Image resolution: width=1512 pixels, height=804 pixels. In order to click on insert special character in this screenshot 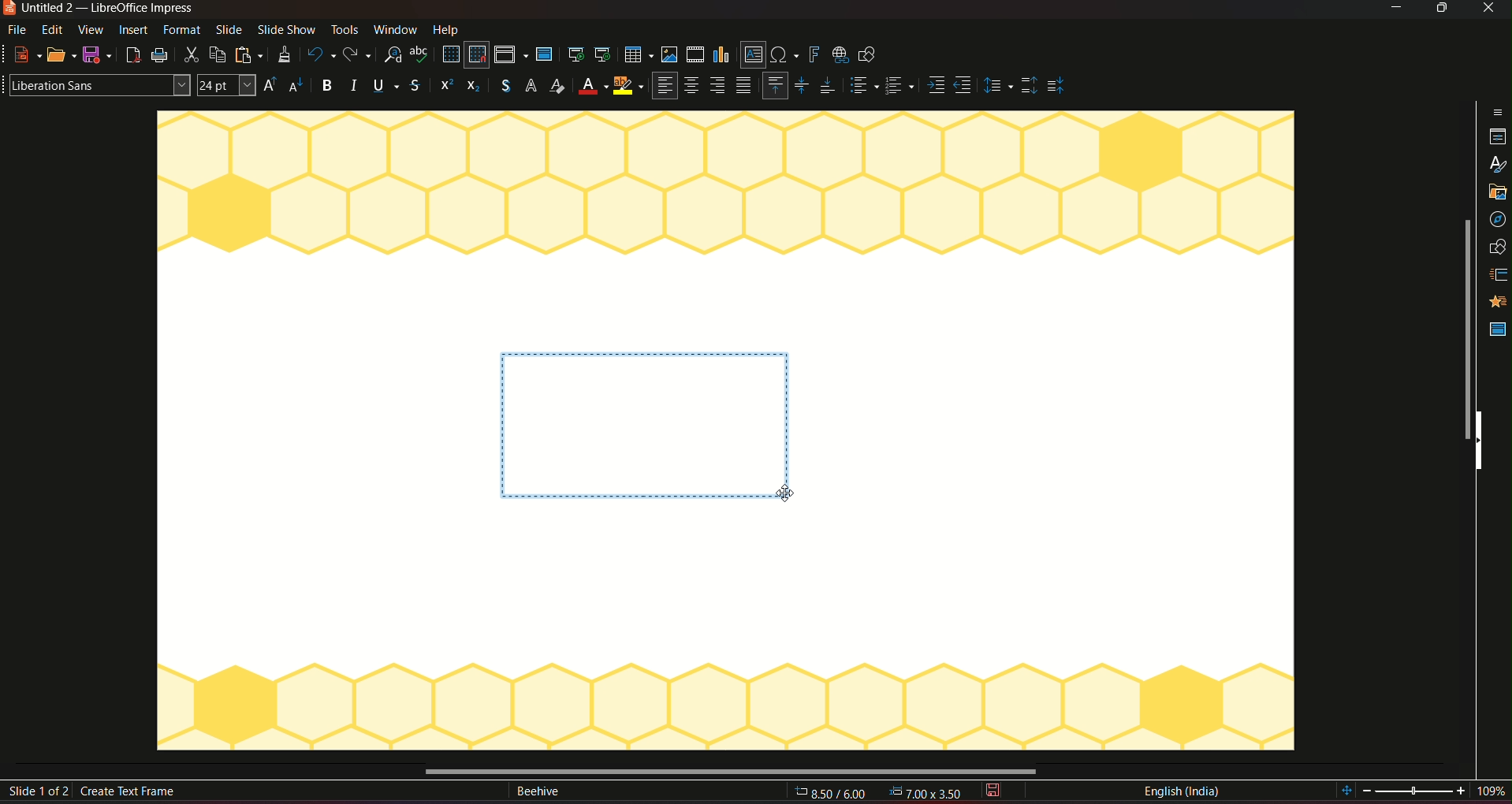, I will do `click(784, 53)`.